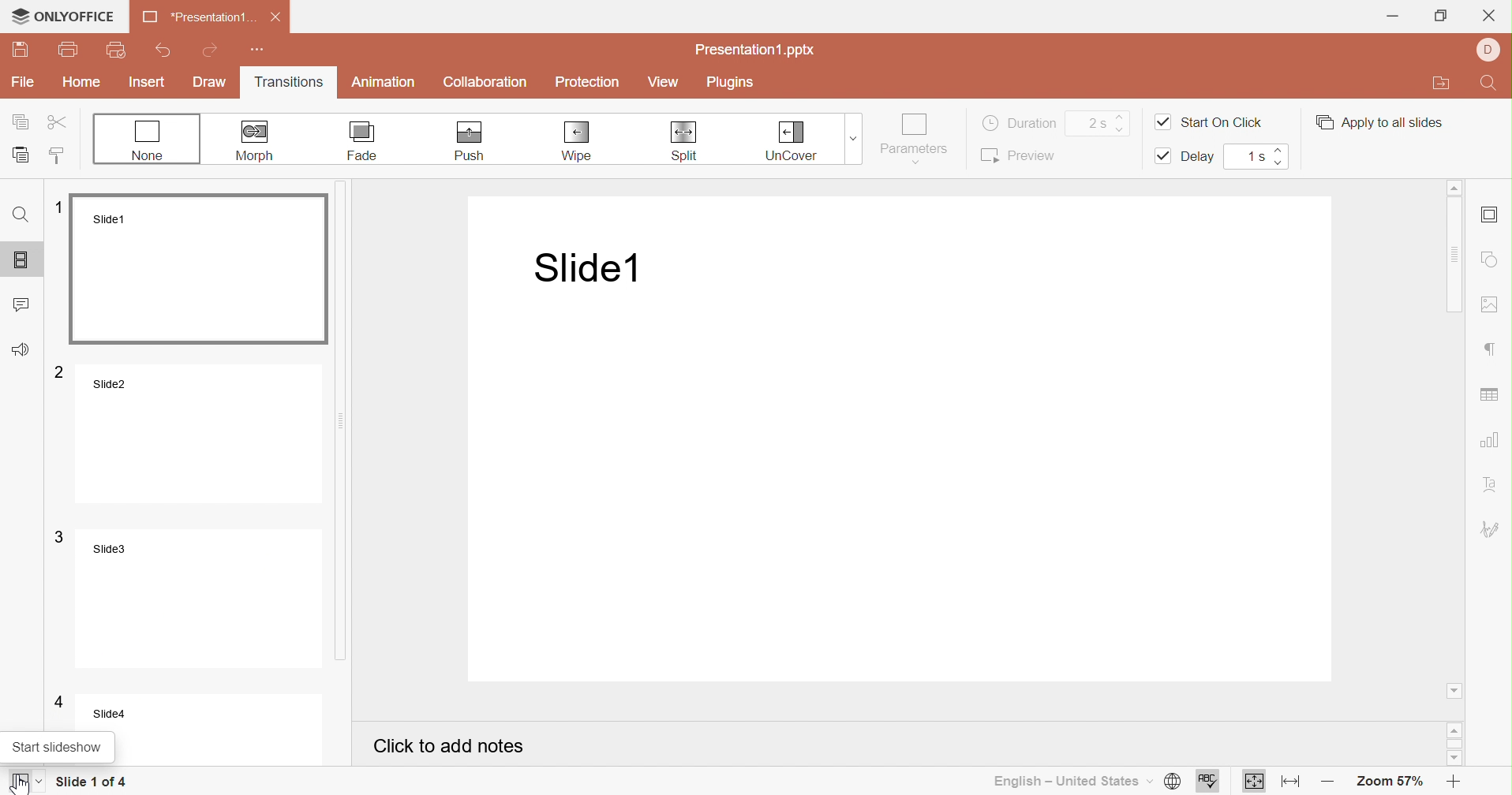  What do you see at coordinates (664, 83) in the screenshot?
I see `View` at bounding box center [664, 83].